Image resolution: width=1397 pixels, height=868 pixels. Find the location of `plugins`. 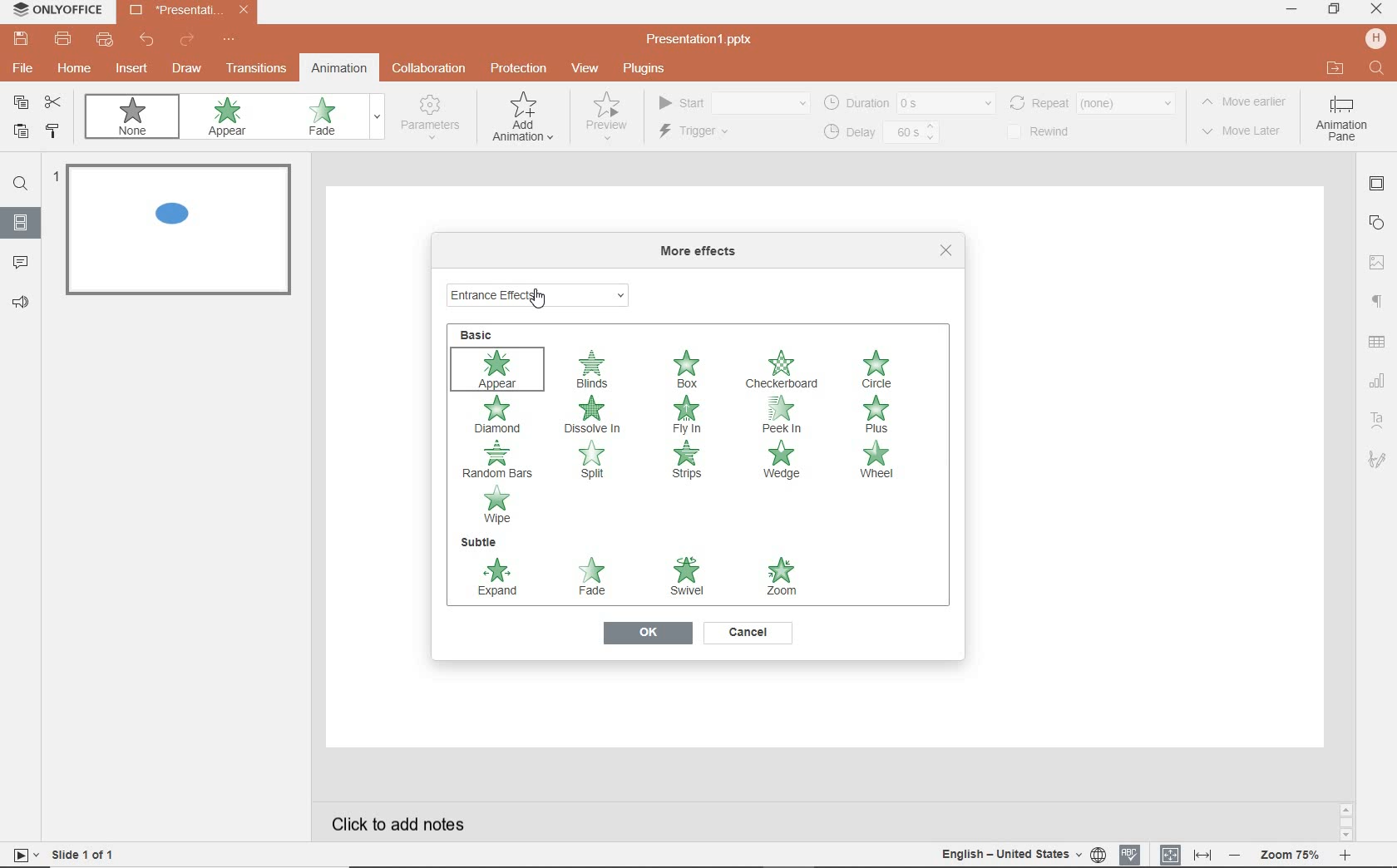

plugins is located at coordinates (653, 69).